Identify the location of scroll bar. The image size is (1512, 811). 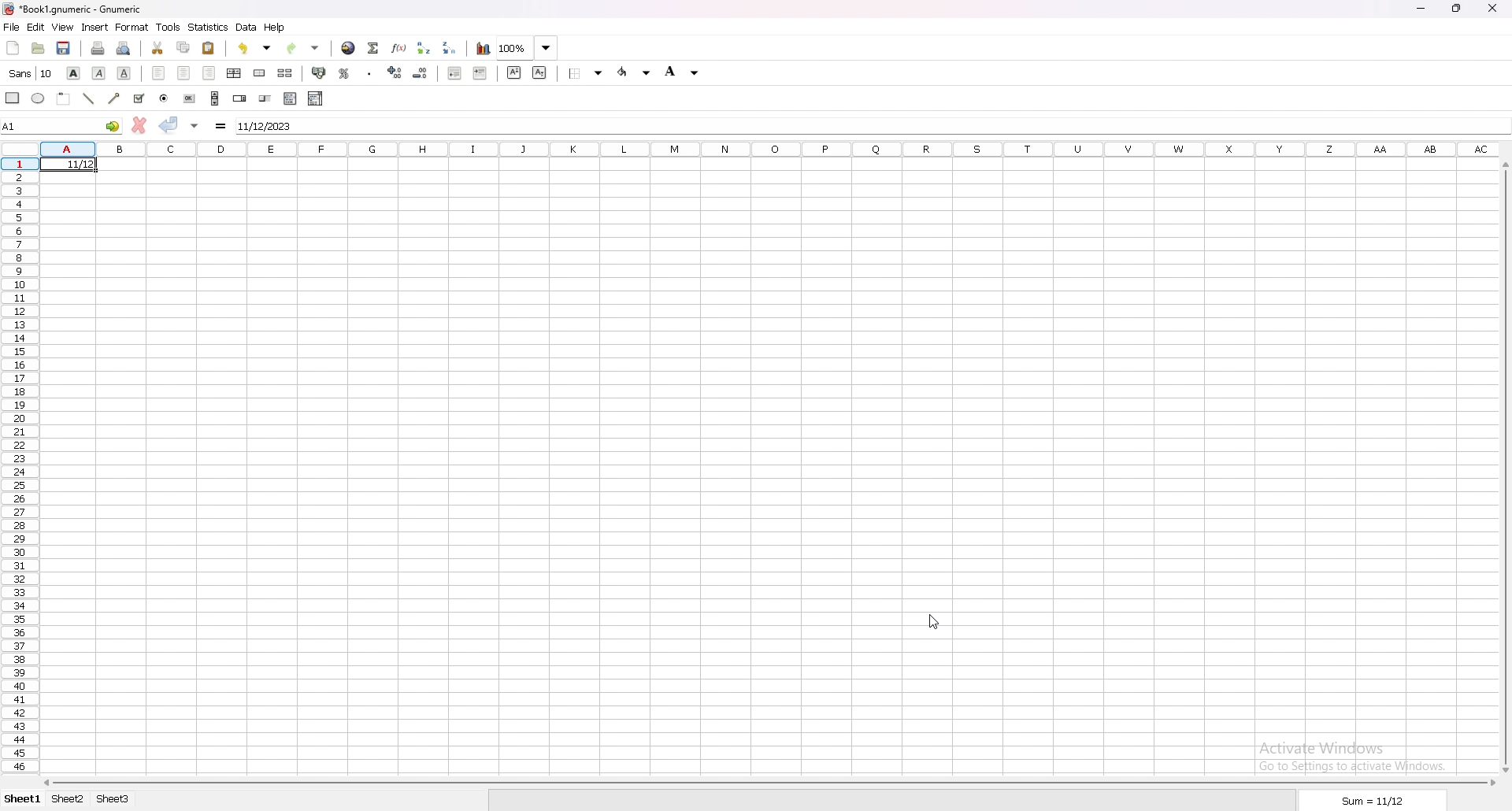
(1503, 467).